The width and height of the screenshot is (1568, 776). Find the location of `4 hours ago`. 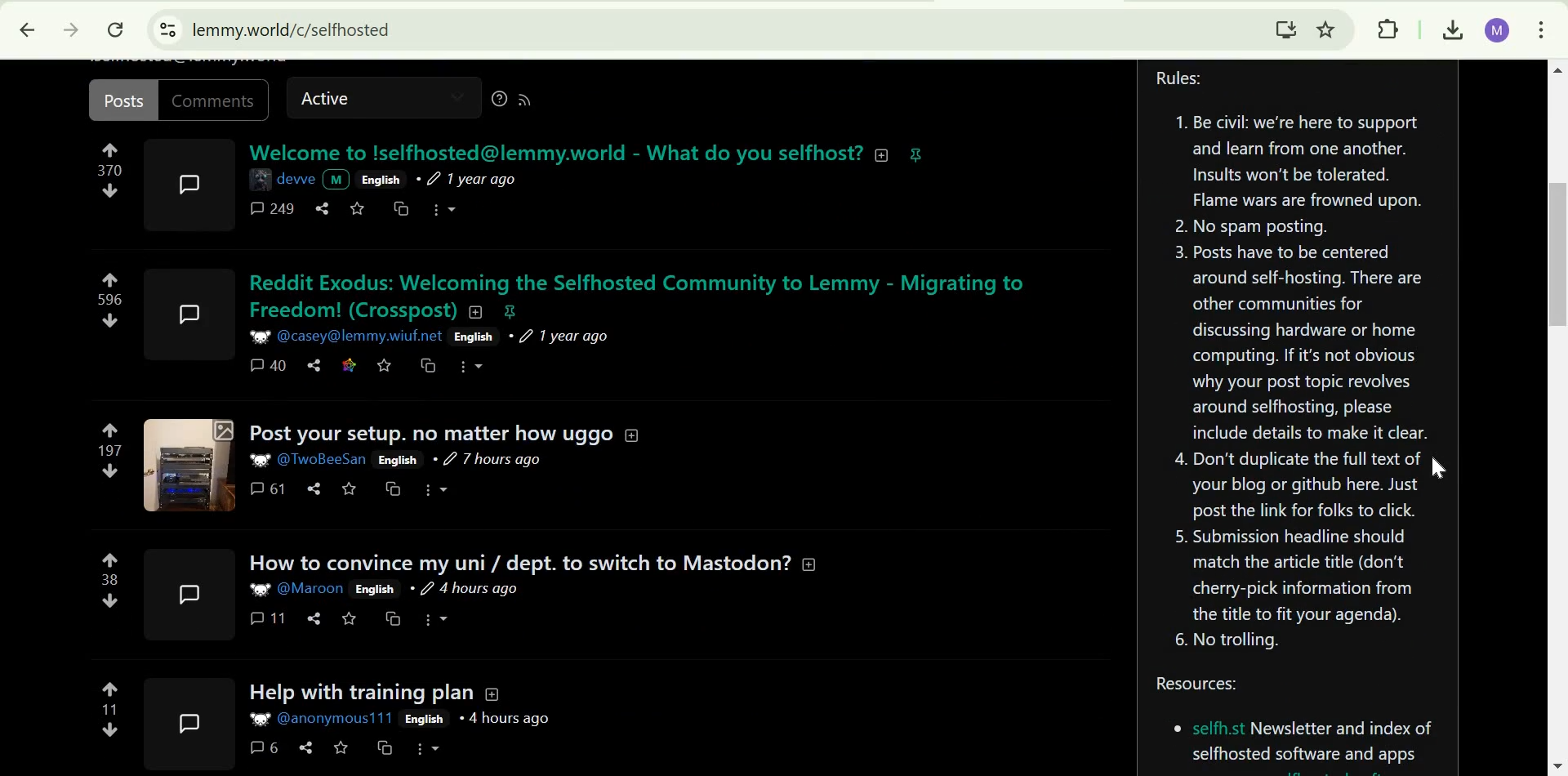

4 hours ago is located at coordinates (506, 719).